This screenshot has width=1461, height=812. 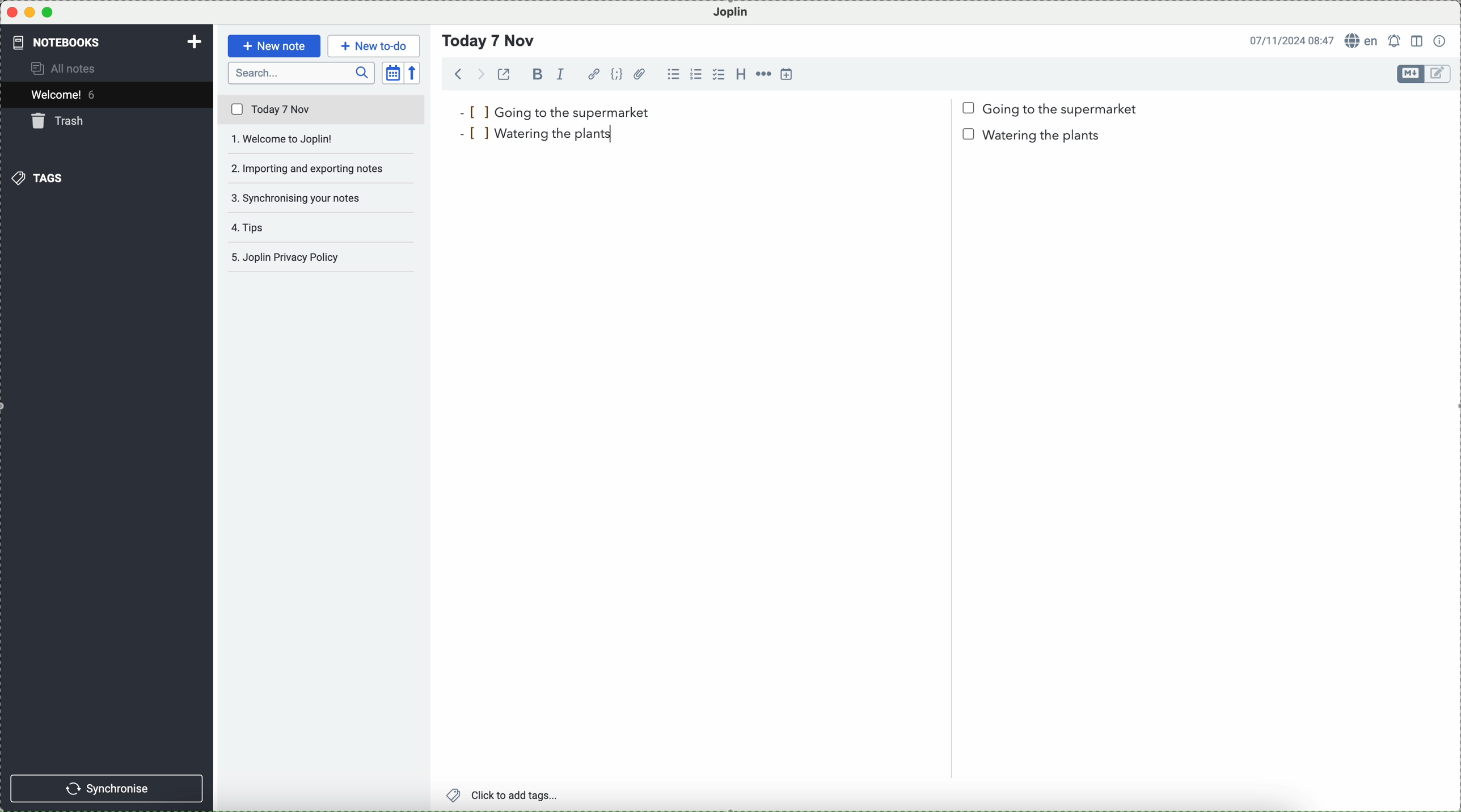 What do you see at coordinates (48, 12) in the screenshot?
I see `maximize` at bounding box center [48, 12].